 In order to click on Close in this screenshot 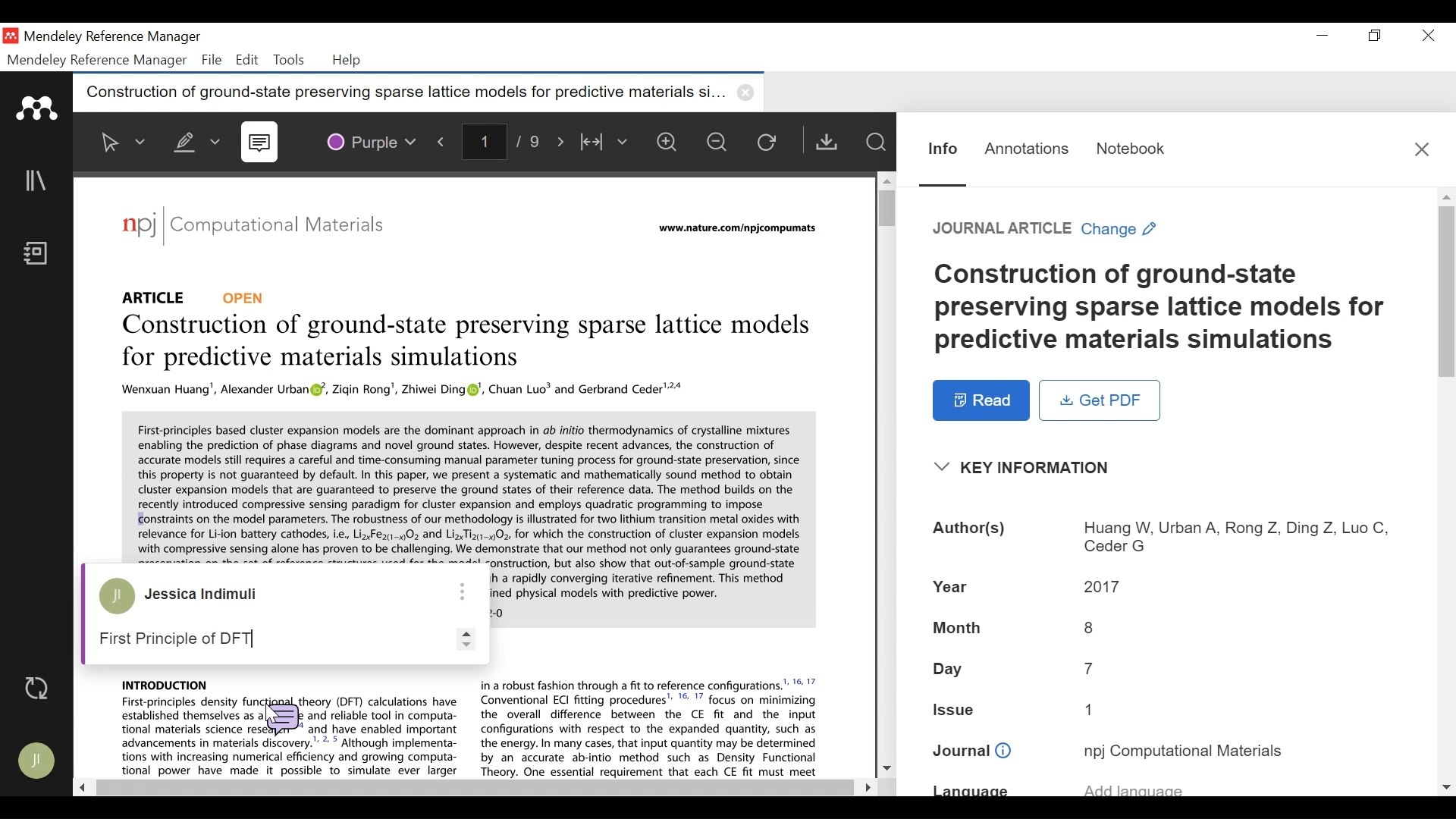, I will do `click(1423, 148)`.